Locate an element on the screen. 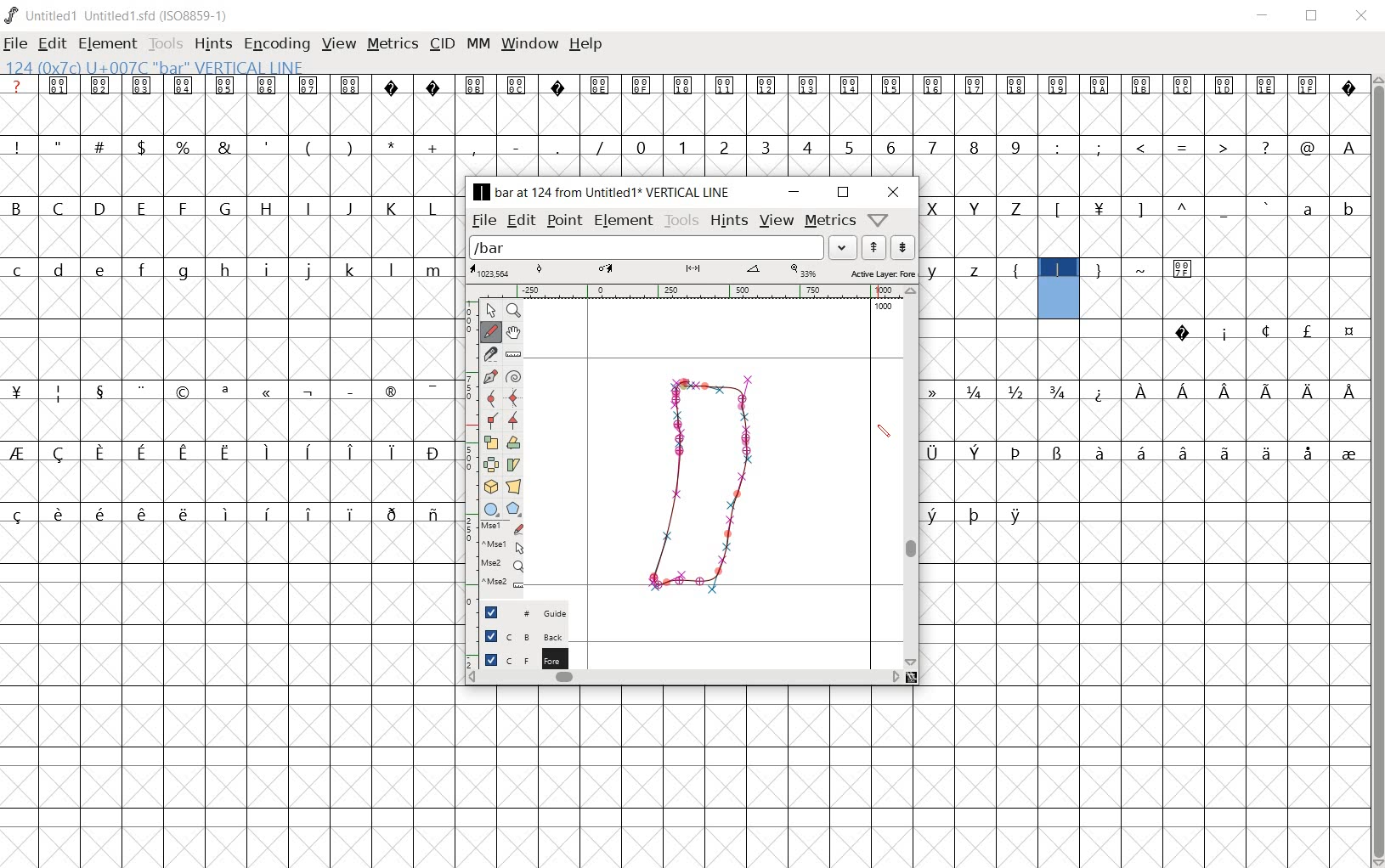 Image resolution: width=1385 pixels, height=868 pixels. flip the selection is located at coordinates (490, 463).